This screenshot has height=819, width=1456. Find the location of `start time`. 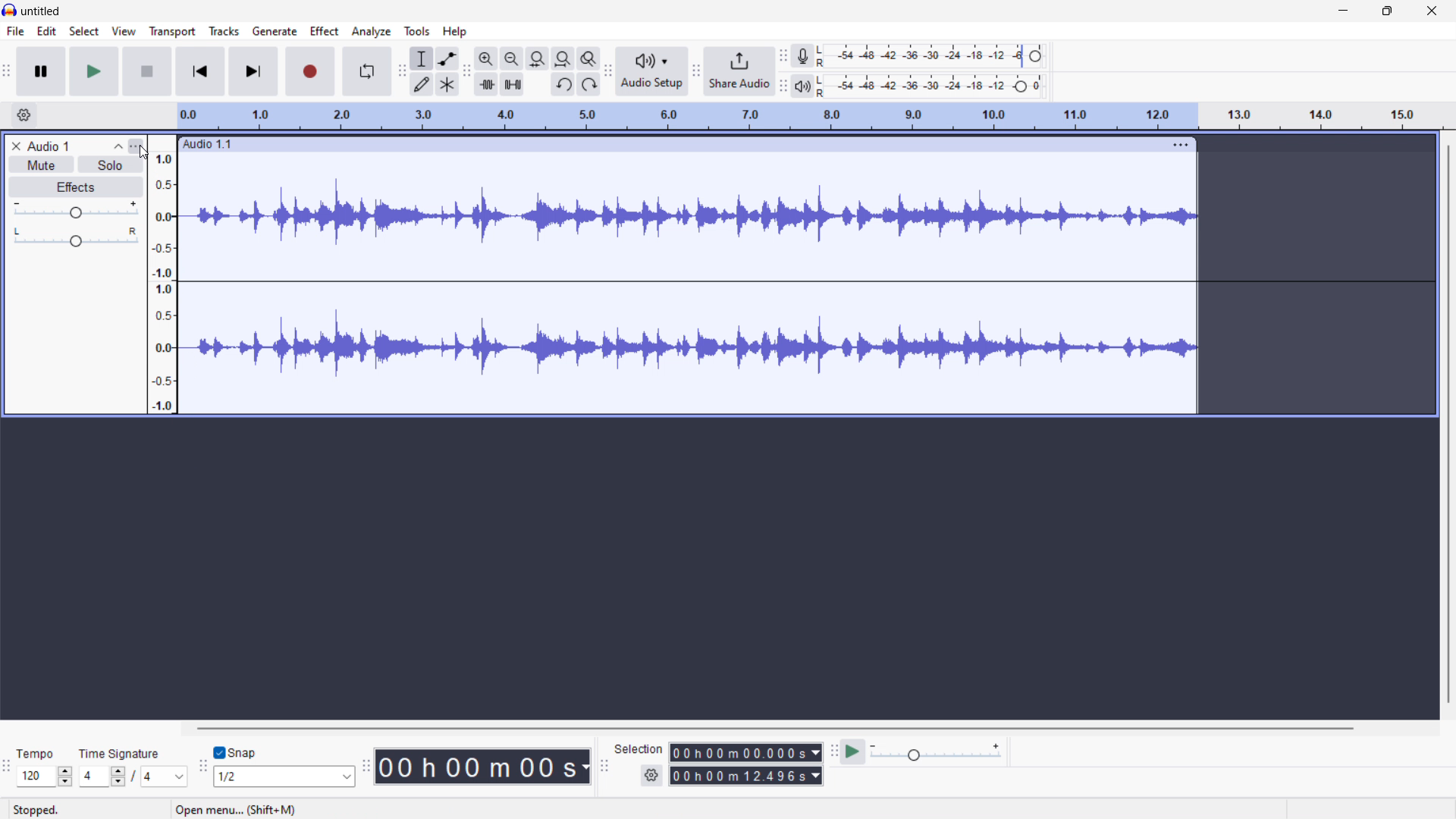

start time is located at coordinates (747, 752).